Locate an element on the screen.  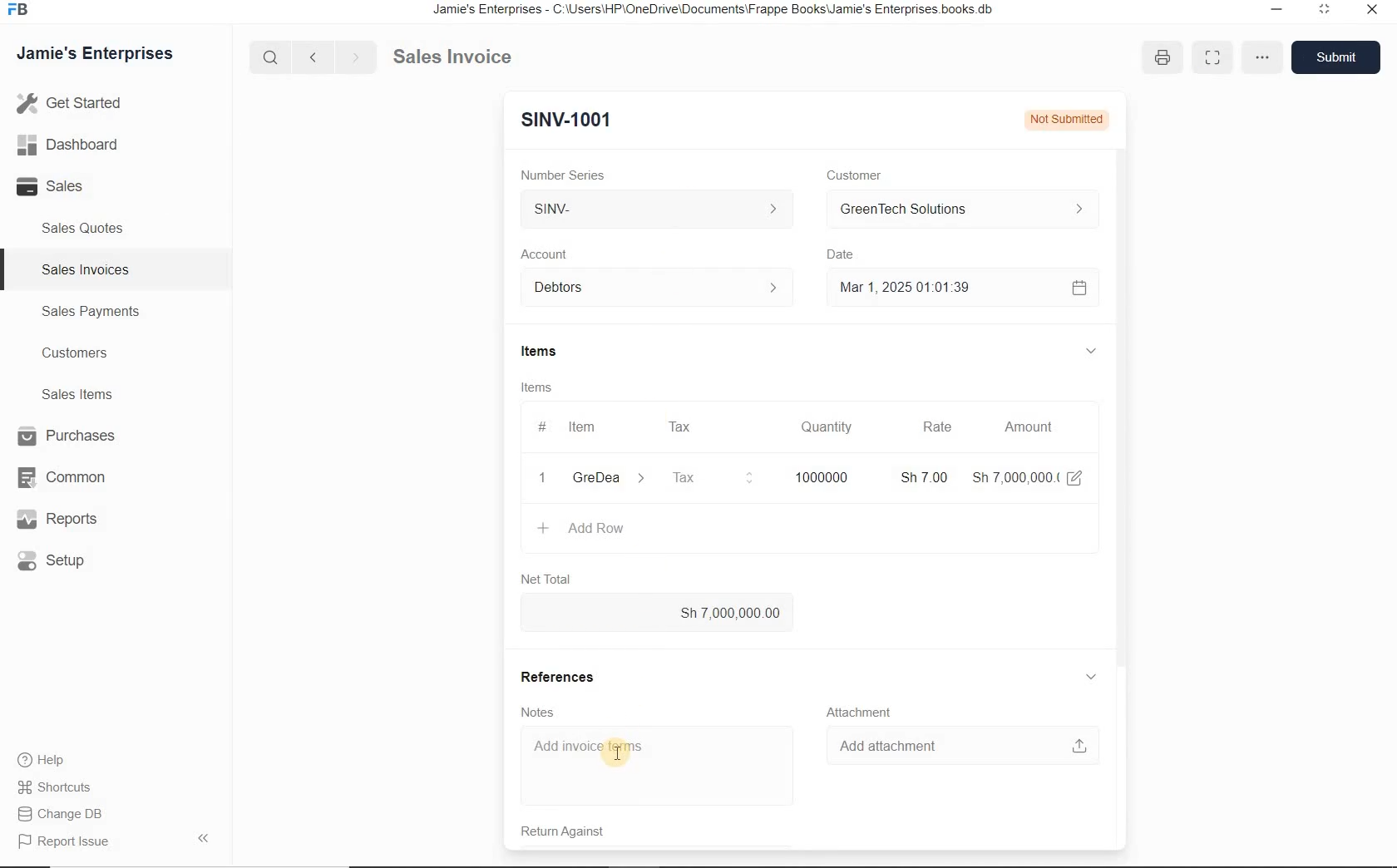
minimize is located at coordinates (1324, 12).